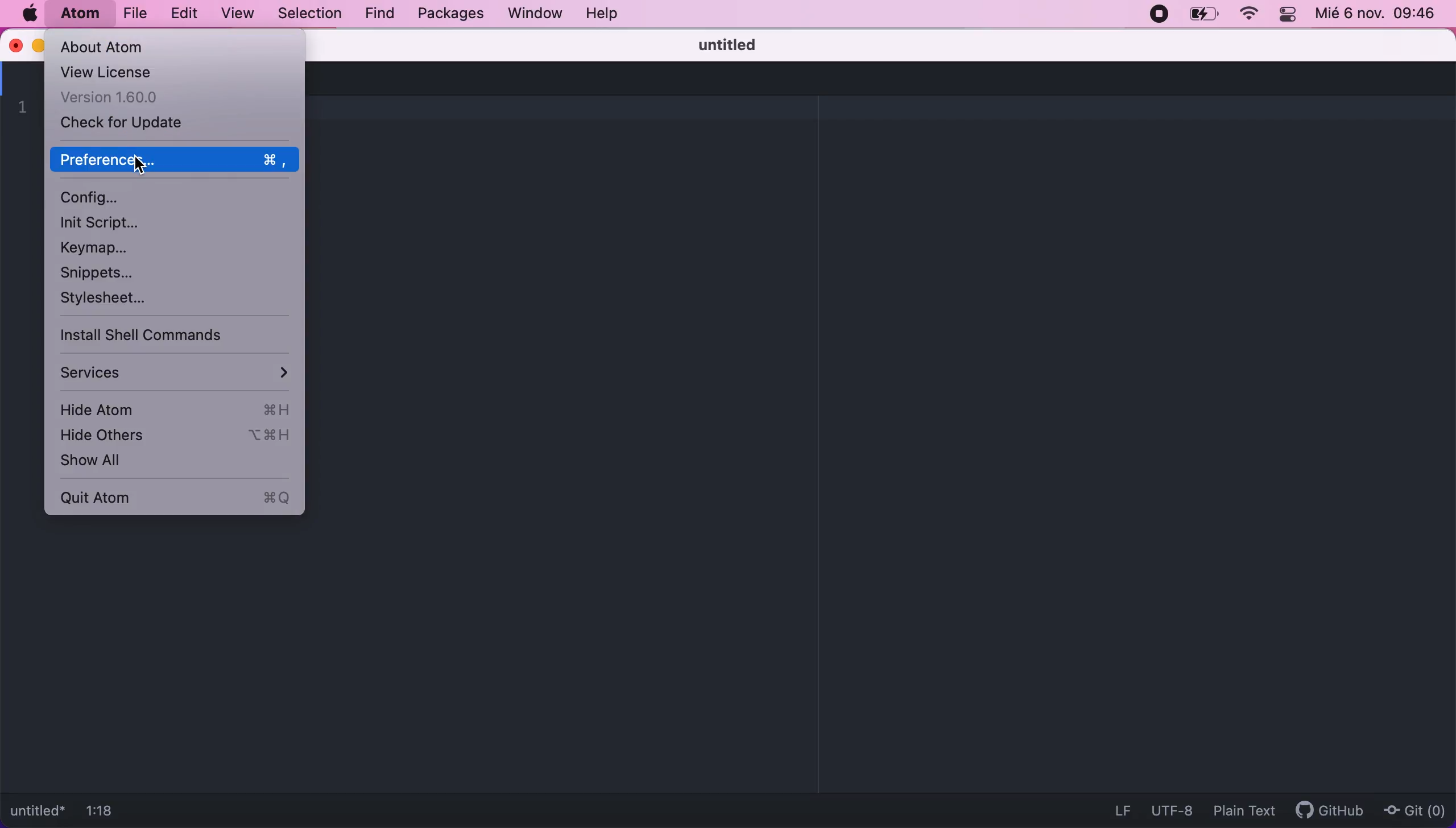  What do you see at coordinates (1379, 15) in the screenshot?
I see `Mié 6 nov. 09:46` at bounding box center [1379, 15].